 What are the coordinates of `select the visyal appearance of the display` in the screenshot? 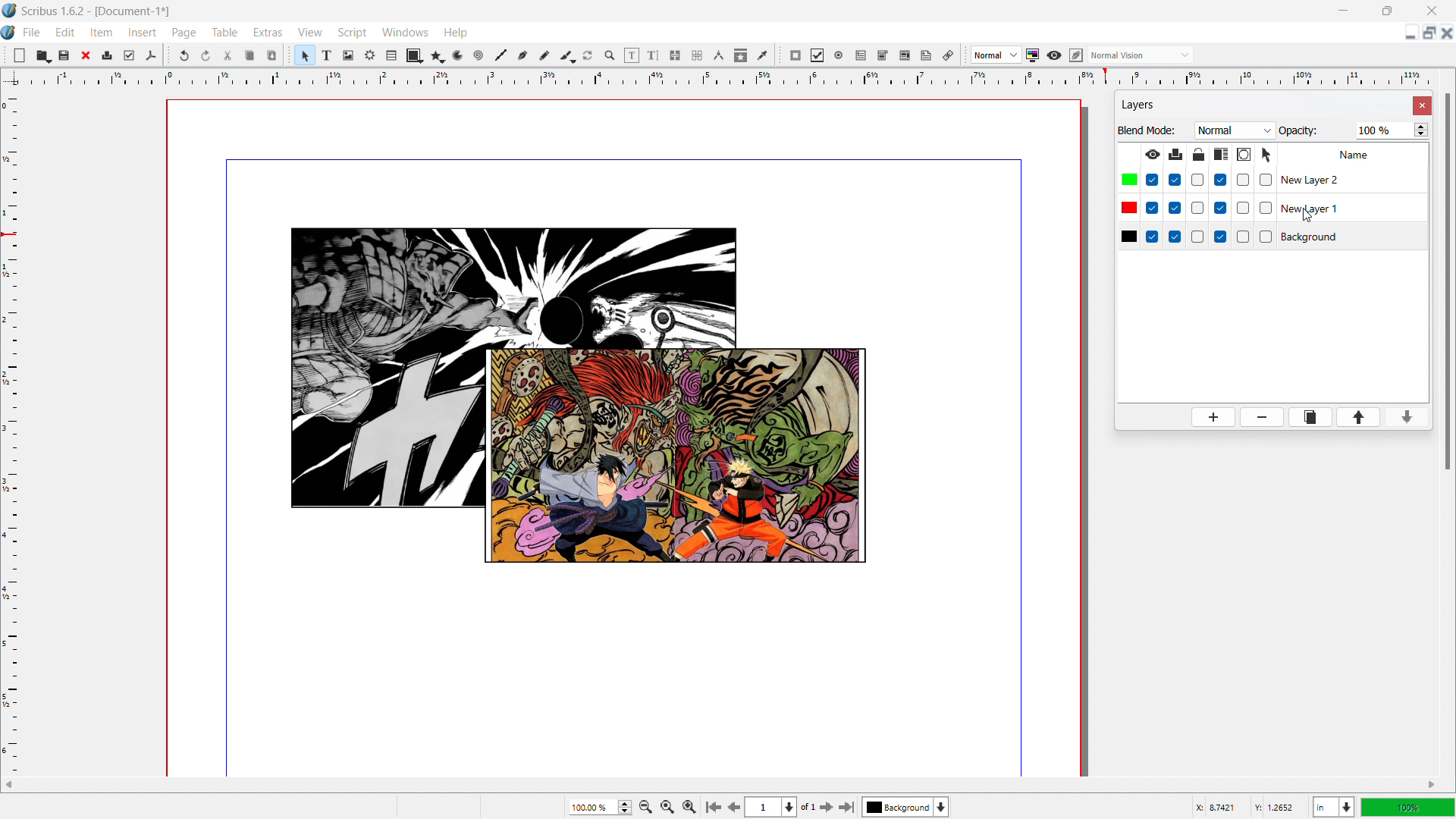 It's located at (1141, 55).